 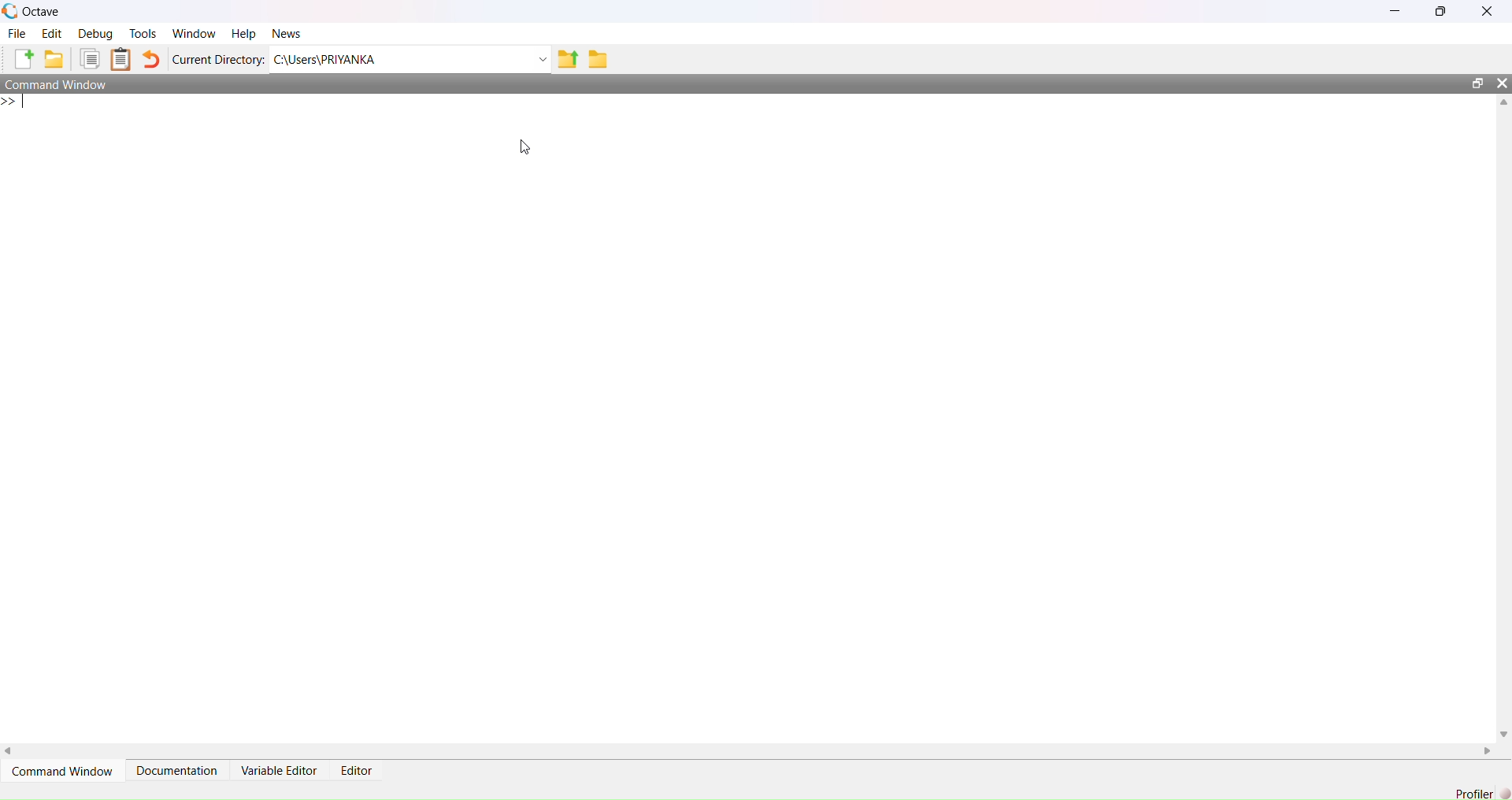 What do you see at coordinates (1485, 11) in the screenshot?
I see `Close` at bounding box center [1485, 11].